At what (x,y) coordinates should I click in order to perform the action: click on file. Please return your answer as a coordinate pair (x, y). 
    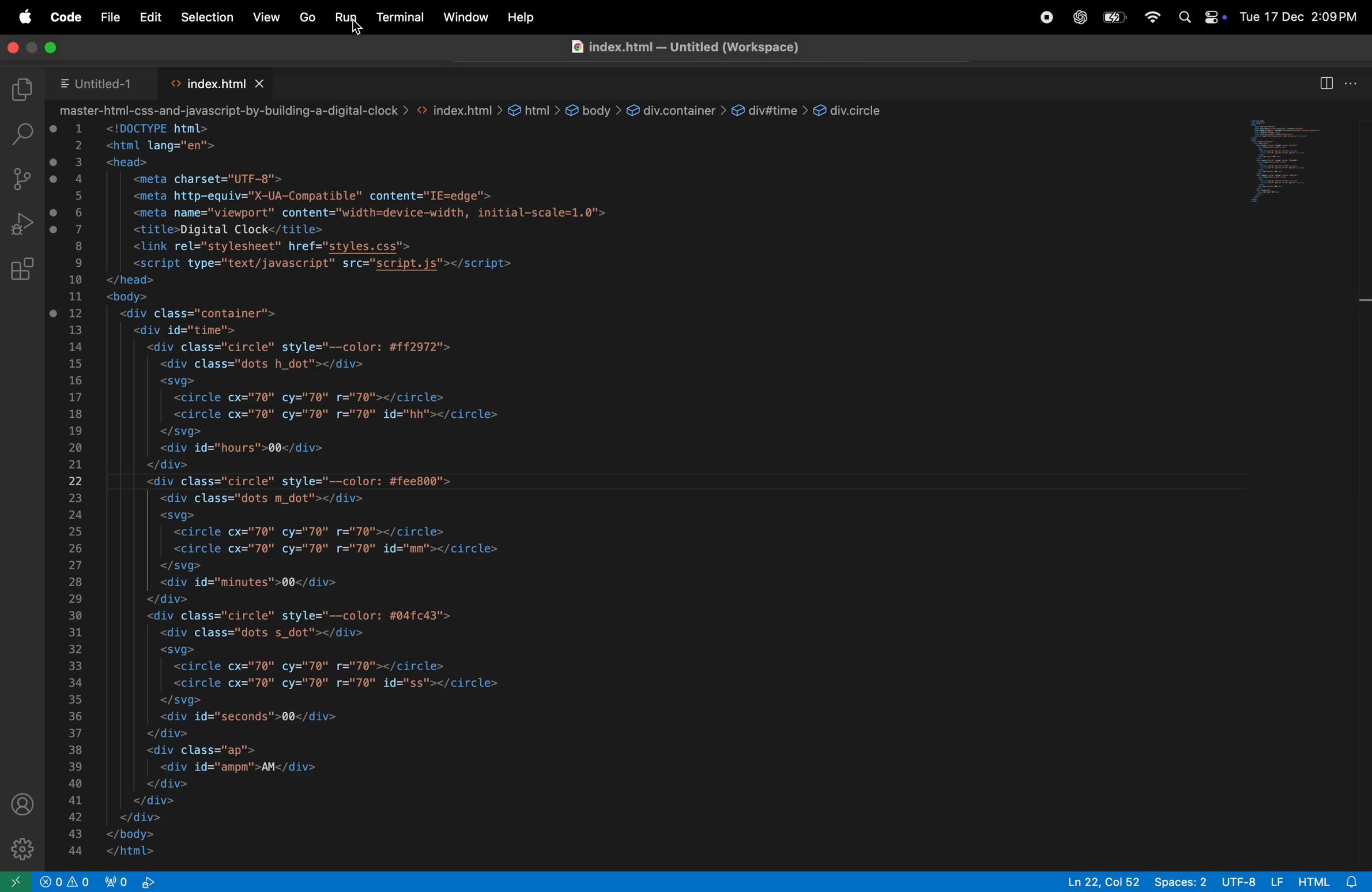
    Looking at the image, I should click on (109, 18).